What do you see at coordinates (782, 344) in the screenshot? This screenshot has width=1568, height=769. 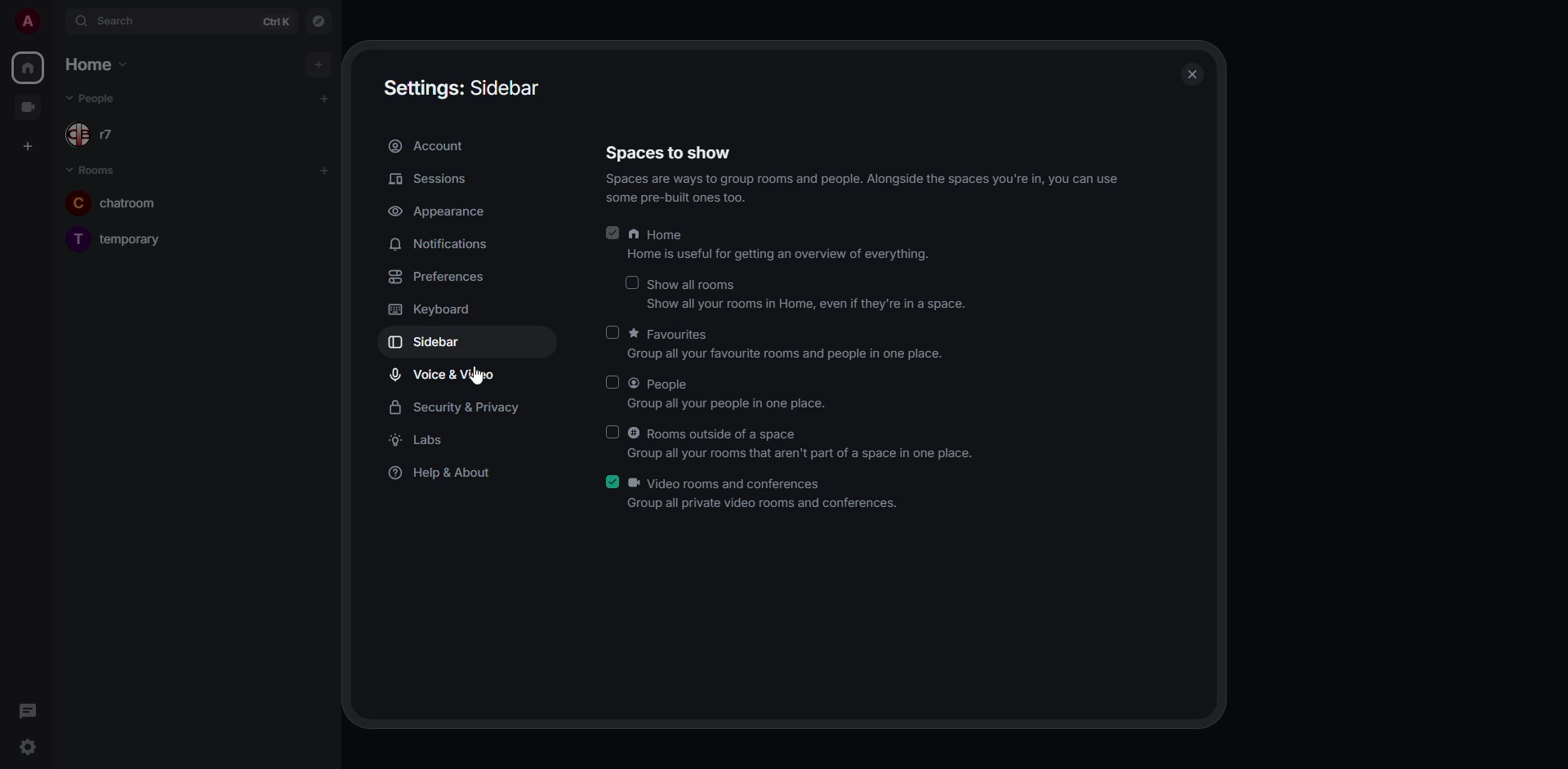 I see `favorites` at bounding box center [782, 344].